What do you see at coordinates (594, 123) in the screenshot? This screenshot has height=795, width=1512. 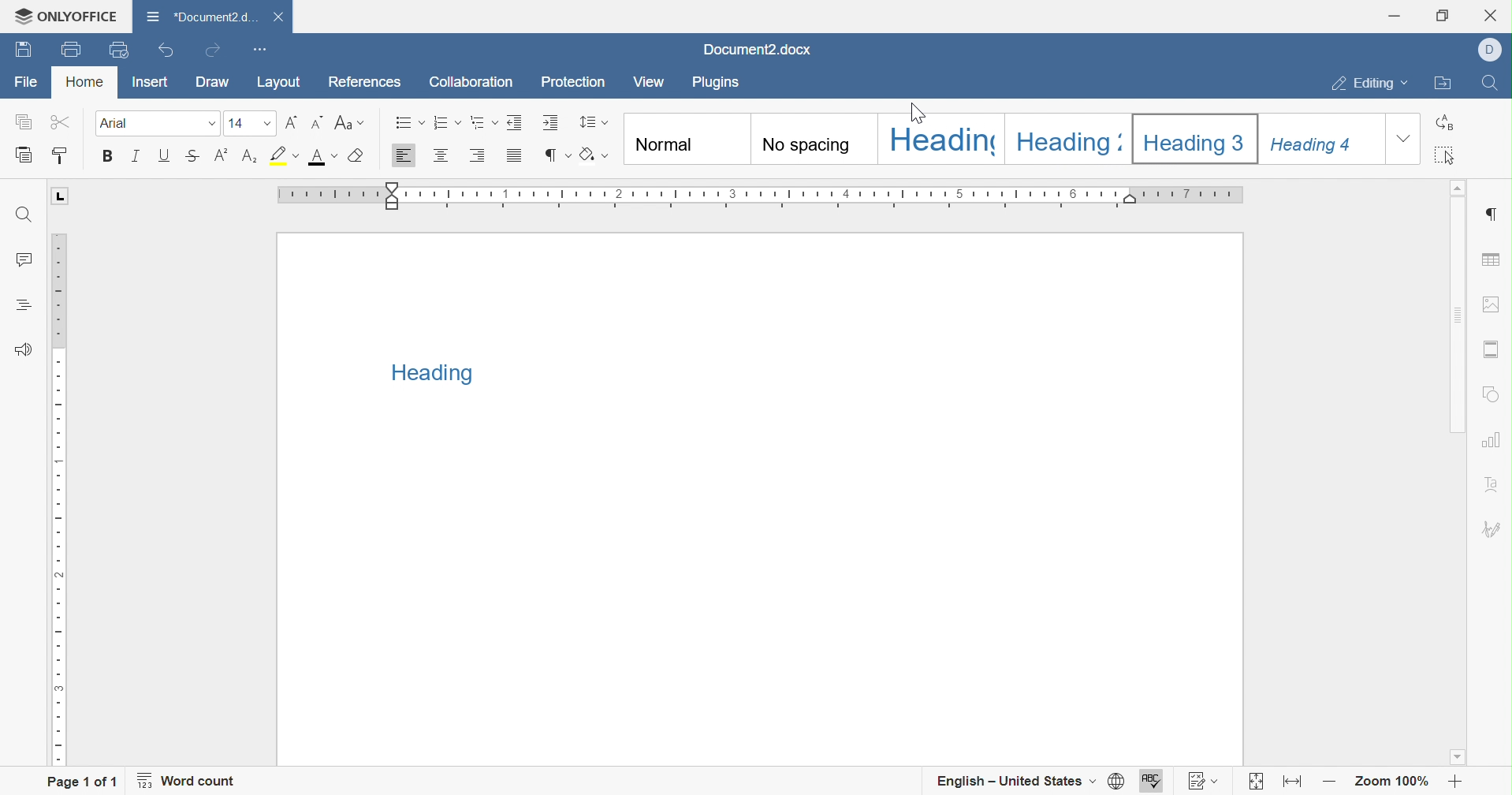 I see `Paragraph Line spacing` at bounding box center [594, 123].